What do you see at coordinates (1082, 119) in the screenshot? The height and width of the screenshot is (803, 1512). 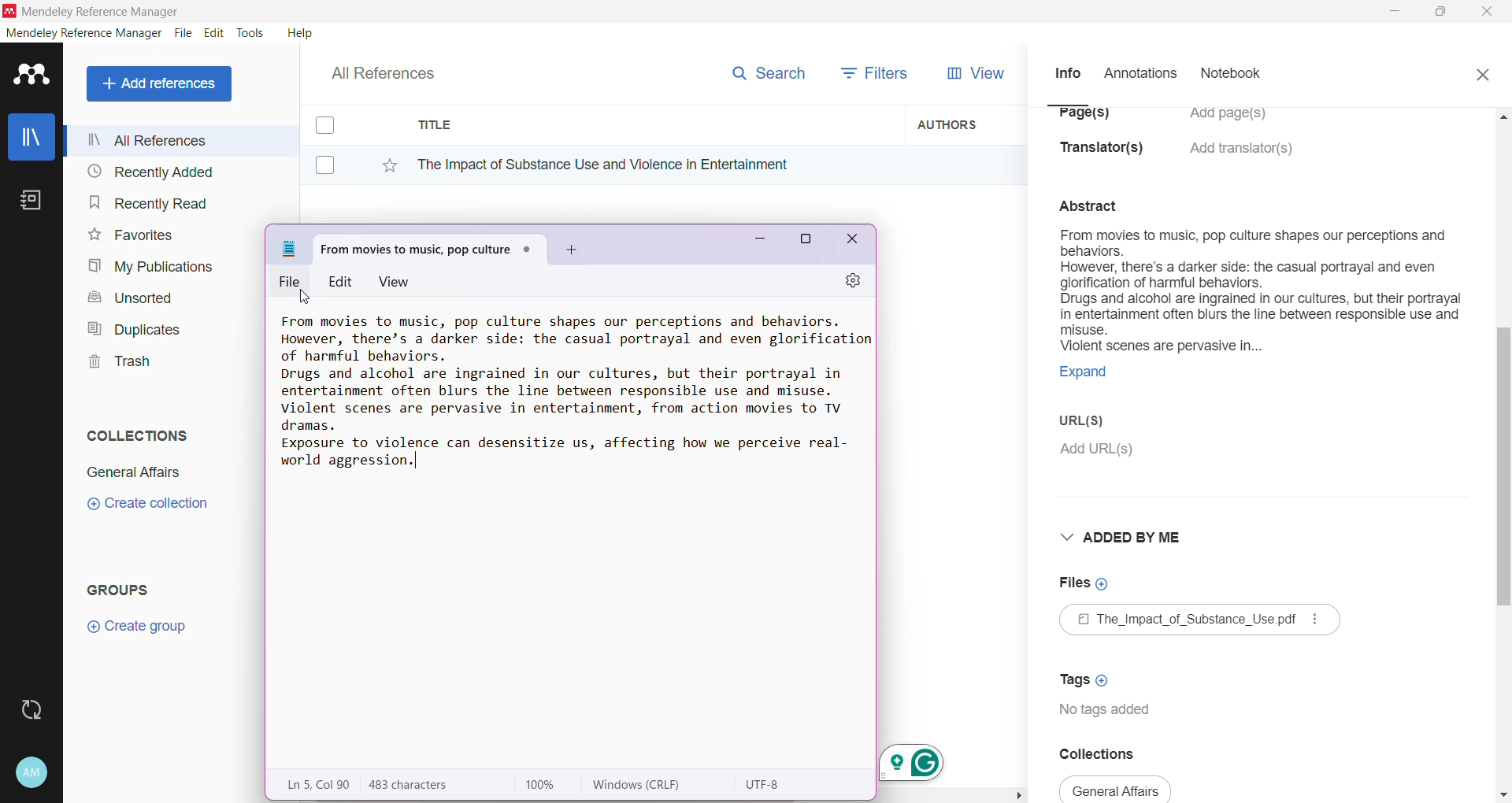 I see `Page(s)` at bounding box center [1082, 119].